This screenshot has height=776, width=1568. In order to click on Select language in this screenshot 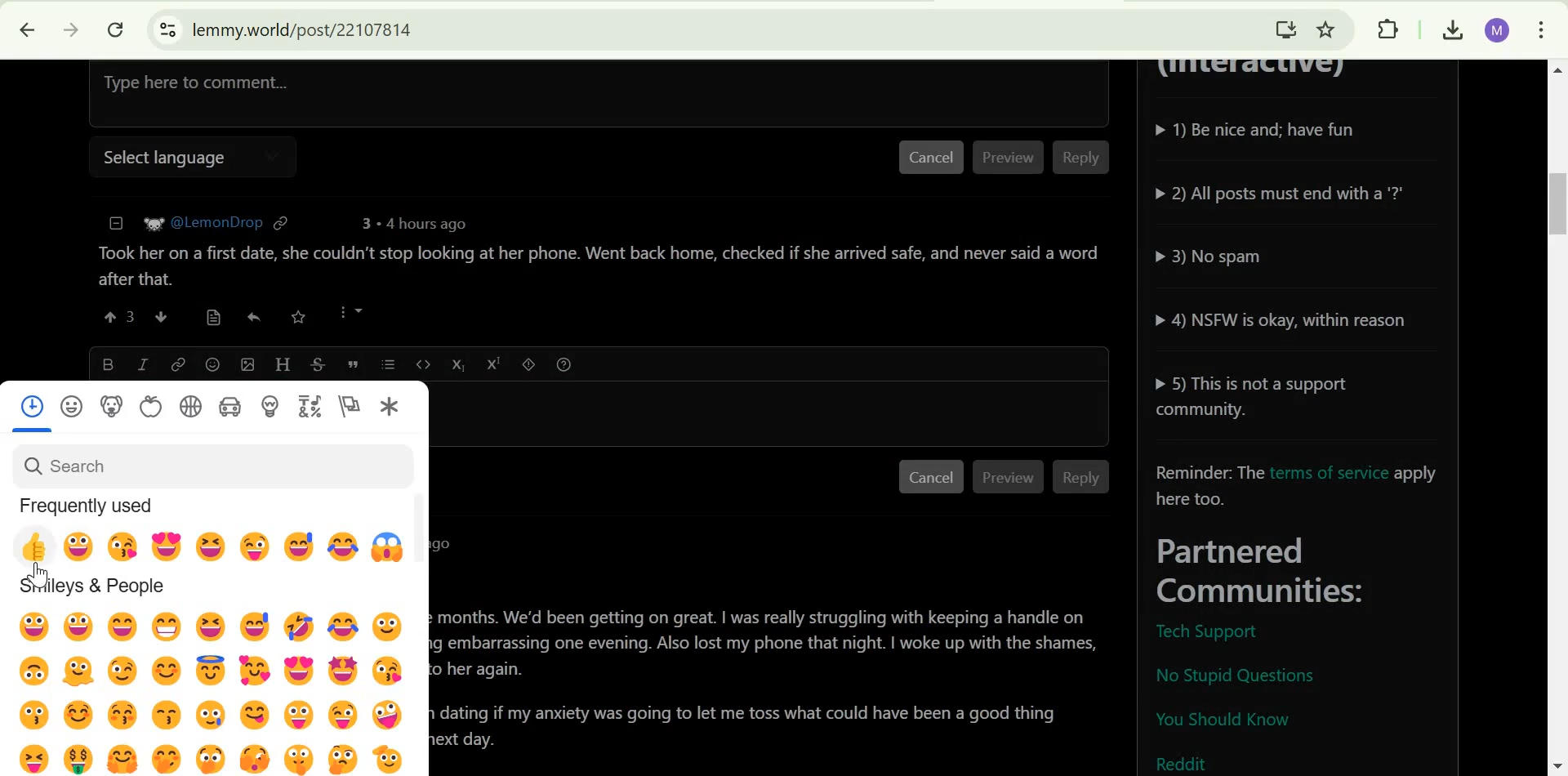, I will do `click(160, 158)`.